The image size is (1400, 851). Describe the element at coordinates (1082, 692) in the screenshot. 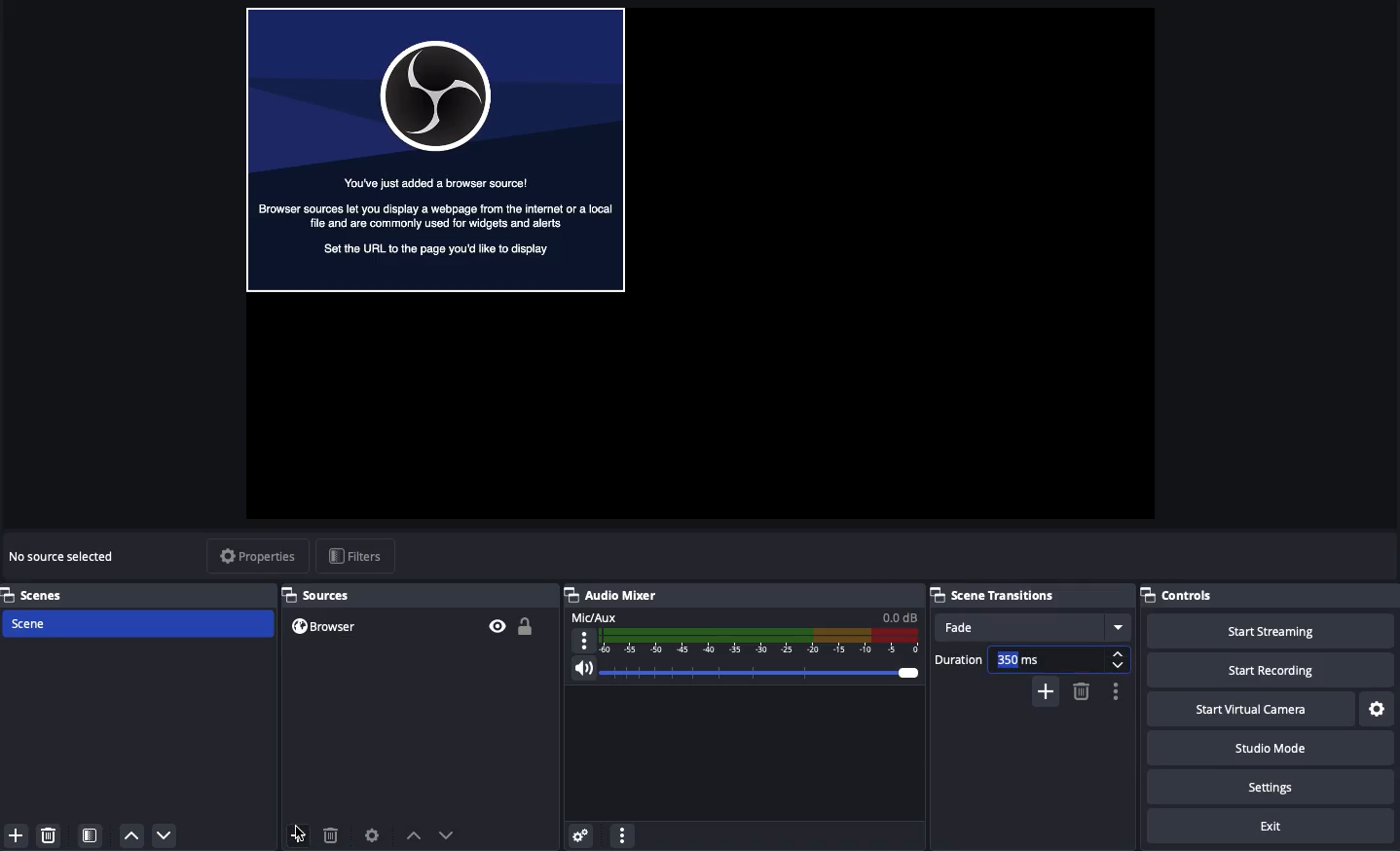

I see `Remove` at that location.